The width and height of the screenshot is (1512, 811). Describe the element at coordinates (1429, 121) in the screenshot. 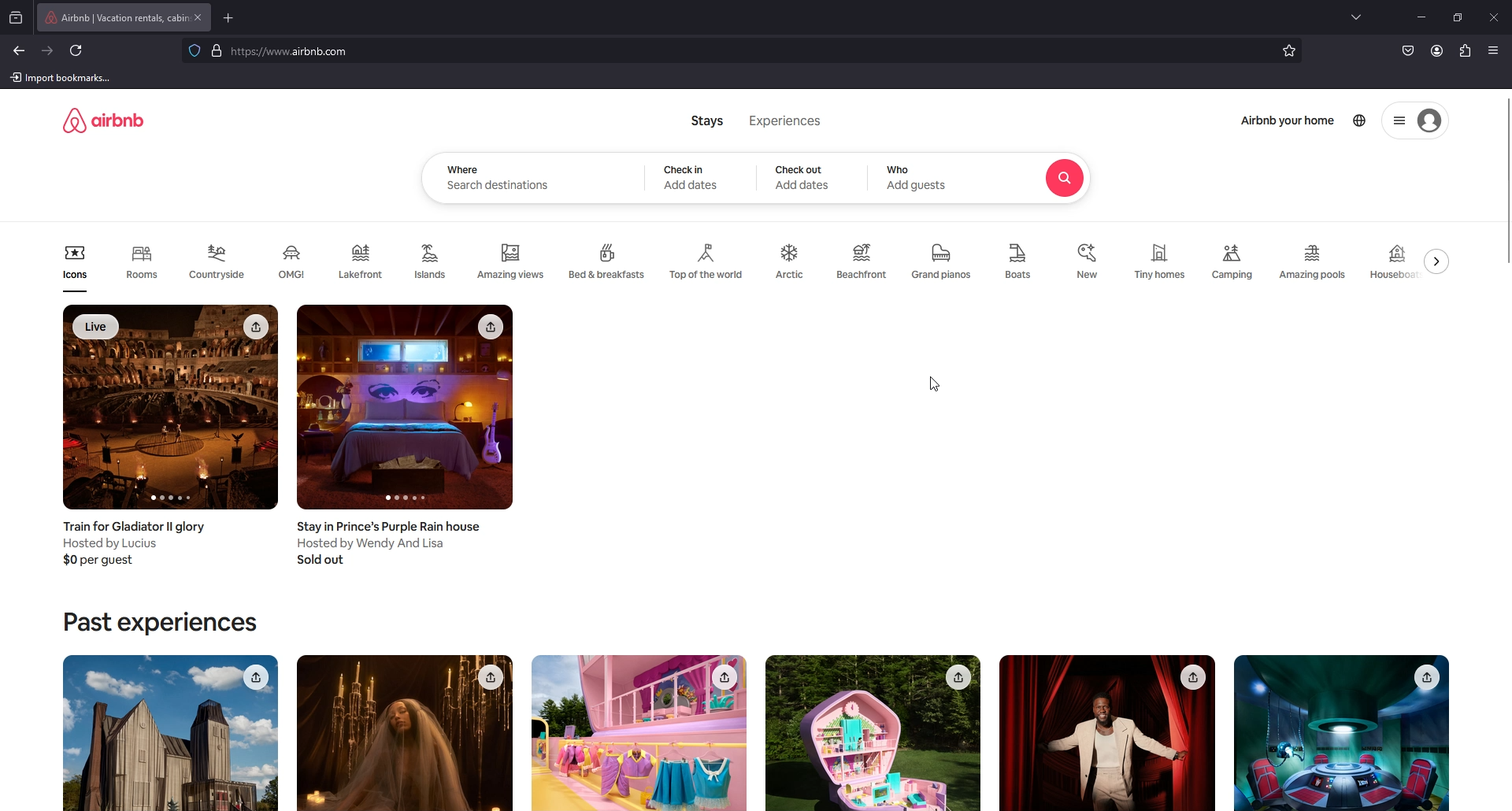

I see `Account avatar ` at that location.